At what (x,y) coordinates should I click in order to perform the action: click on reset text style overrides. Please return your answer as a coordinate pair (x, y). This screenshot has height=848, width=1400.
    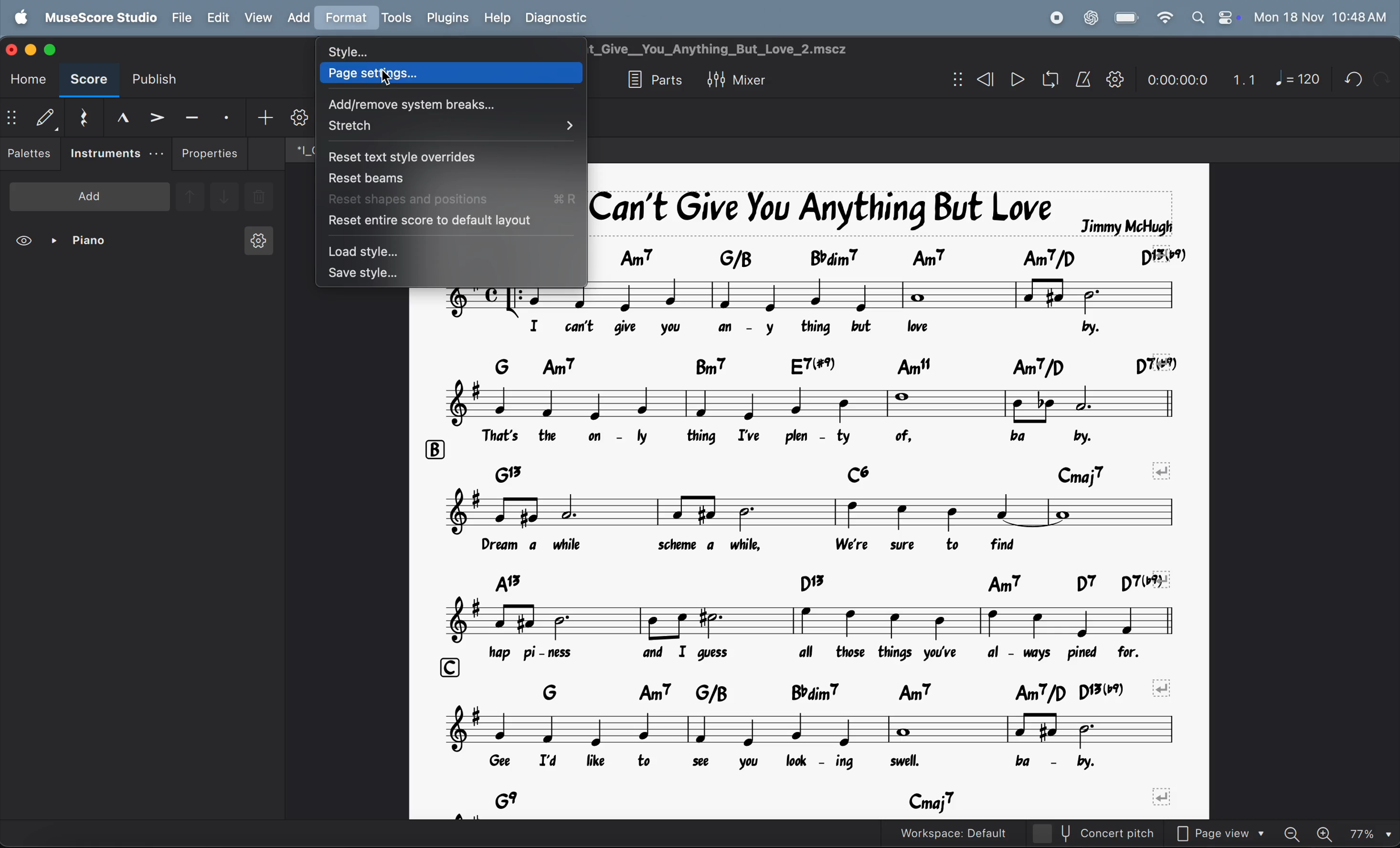
    Looking at the image, I should click on (438, 156).